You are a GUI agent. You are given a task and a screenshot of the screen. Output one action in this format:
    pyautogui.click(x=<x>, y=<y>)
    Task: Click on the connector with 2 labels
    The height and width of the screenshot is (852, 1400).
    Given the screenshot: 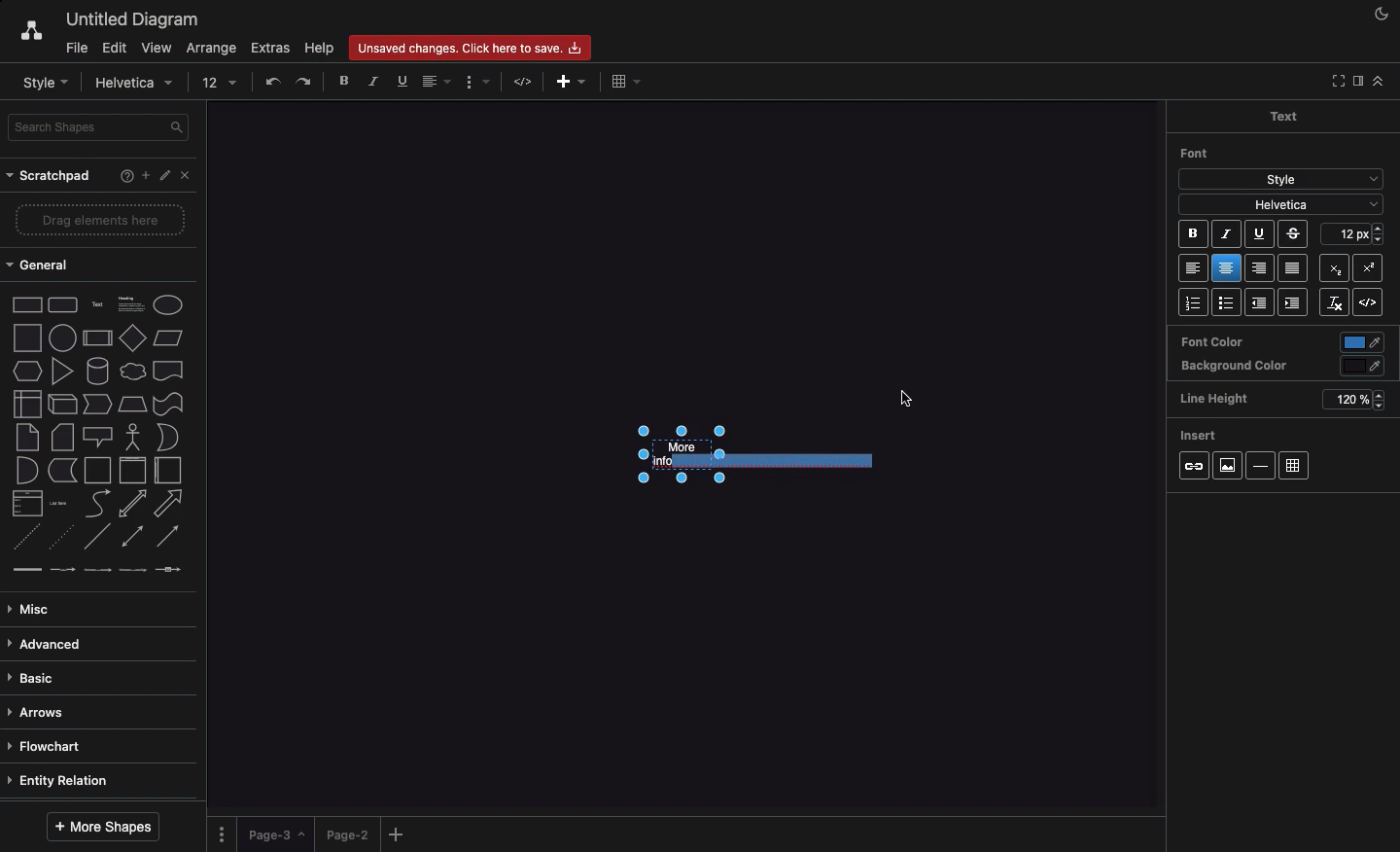 What is the action you would take?
    pyautogui.click(x=97, y=570)
    